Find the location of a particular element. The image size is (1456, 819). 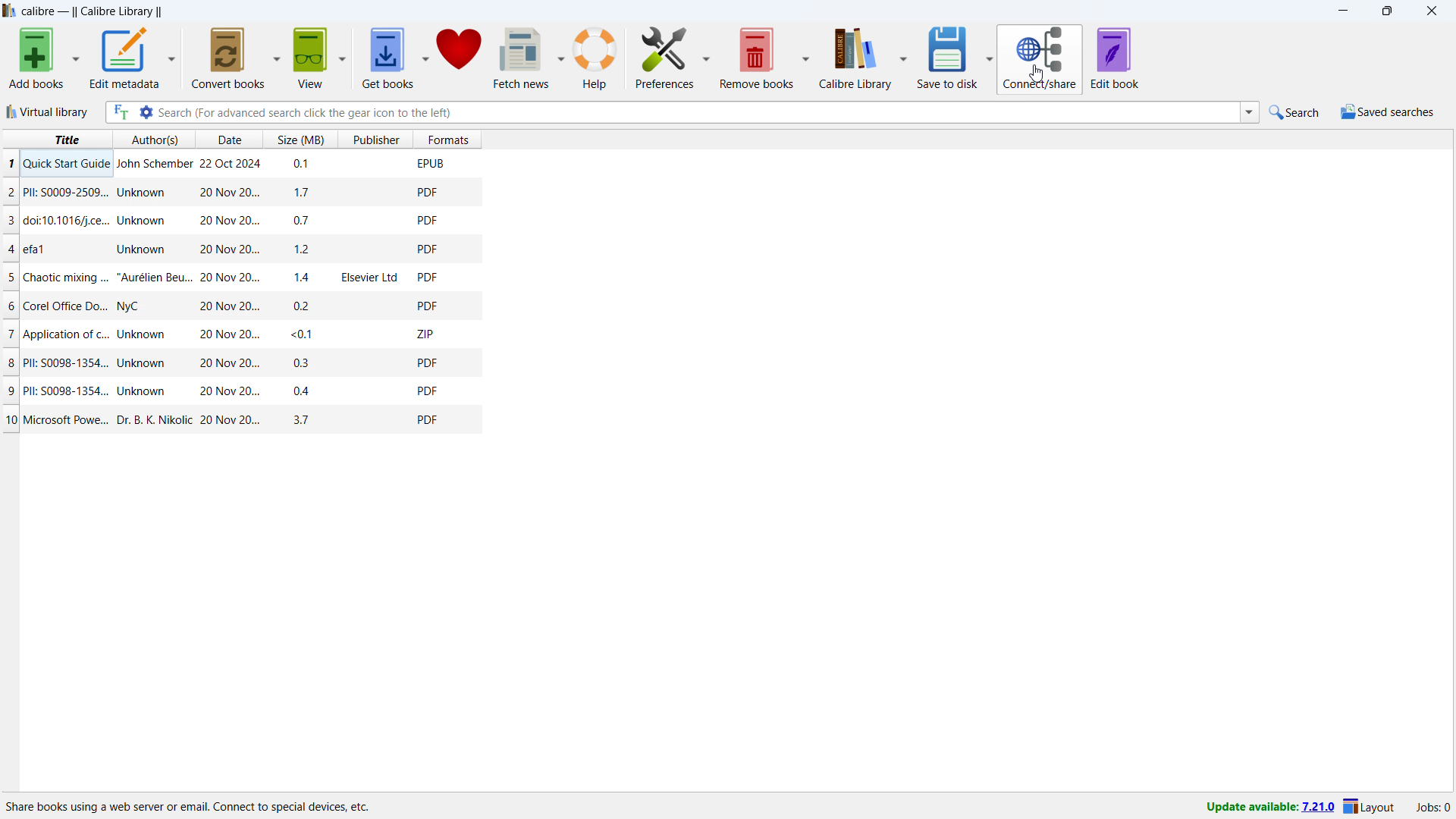

edit book is located at coordinates (1116, 58).